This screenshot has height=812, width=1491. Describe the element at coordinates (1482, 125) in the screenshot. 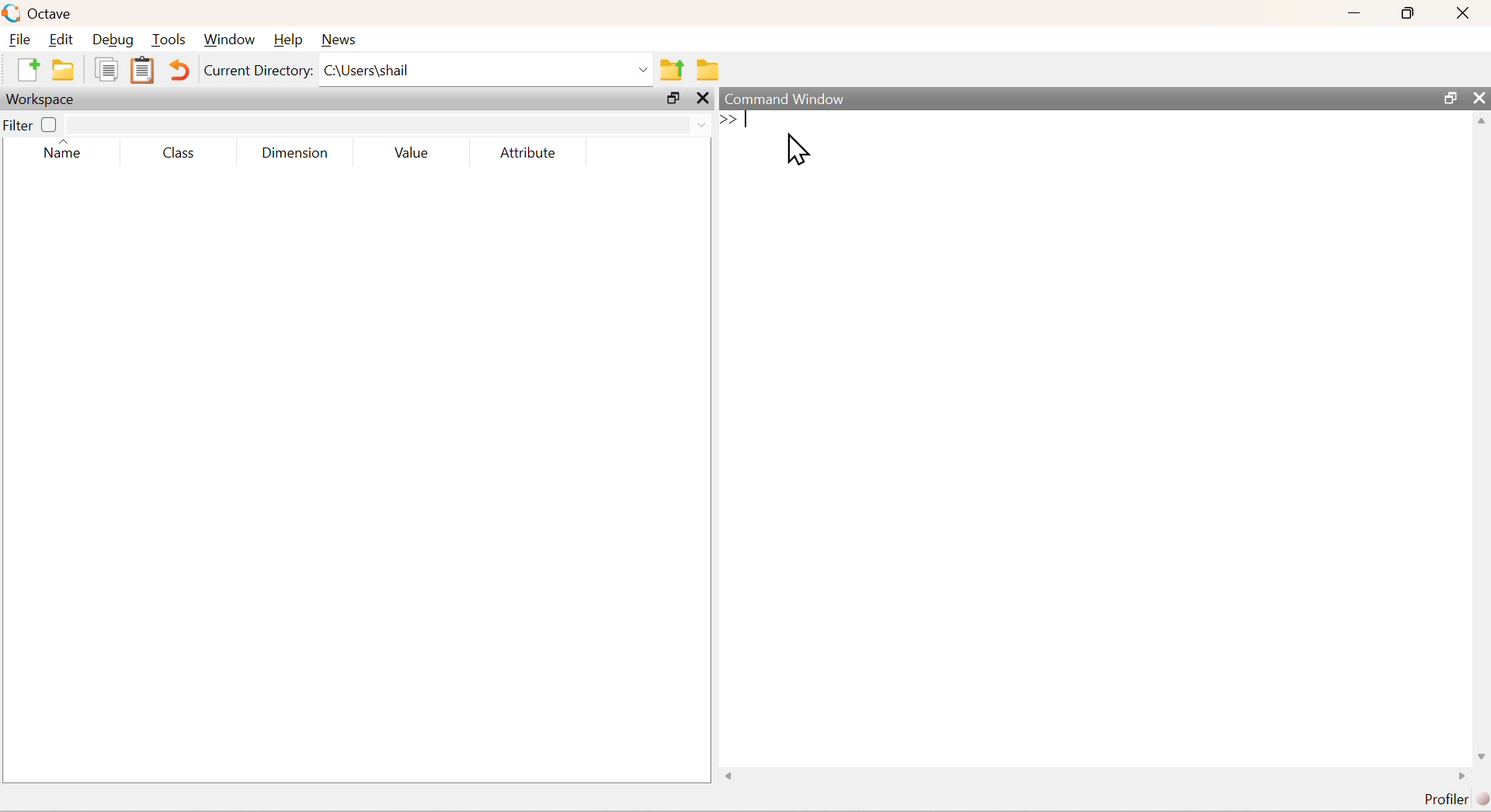

I see `scroll bar up` at that location.